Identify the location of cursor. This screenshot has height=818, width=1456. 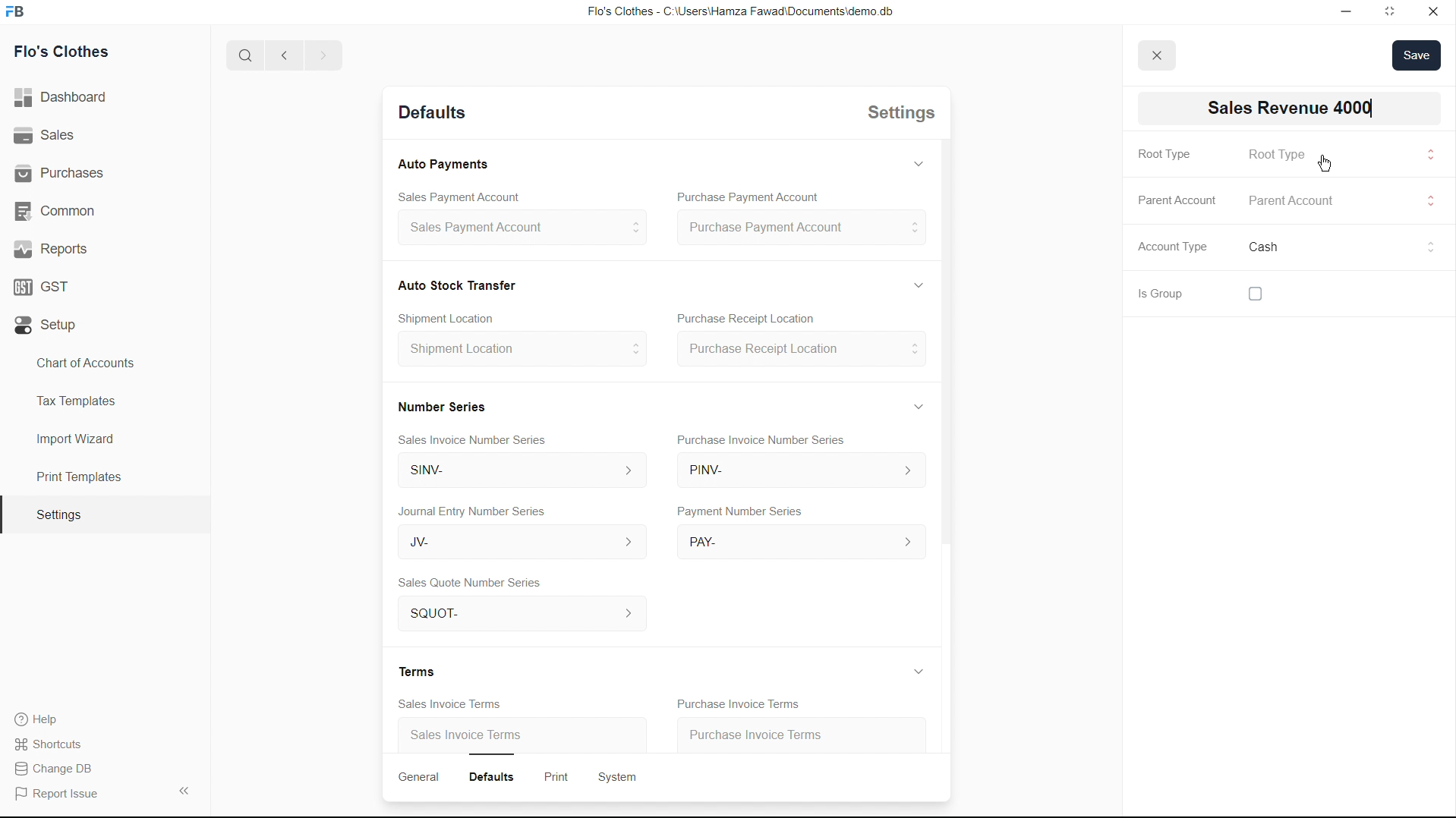
(1328, 162).